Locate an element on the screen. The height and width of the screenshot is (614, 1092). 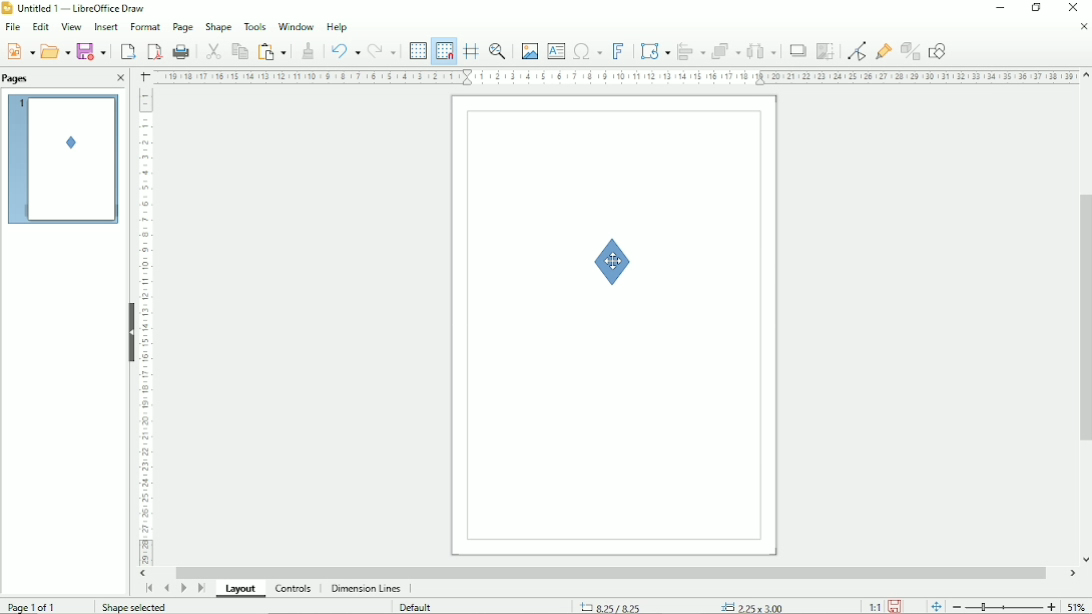
Insert text box is located at coordinates (556, 50).